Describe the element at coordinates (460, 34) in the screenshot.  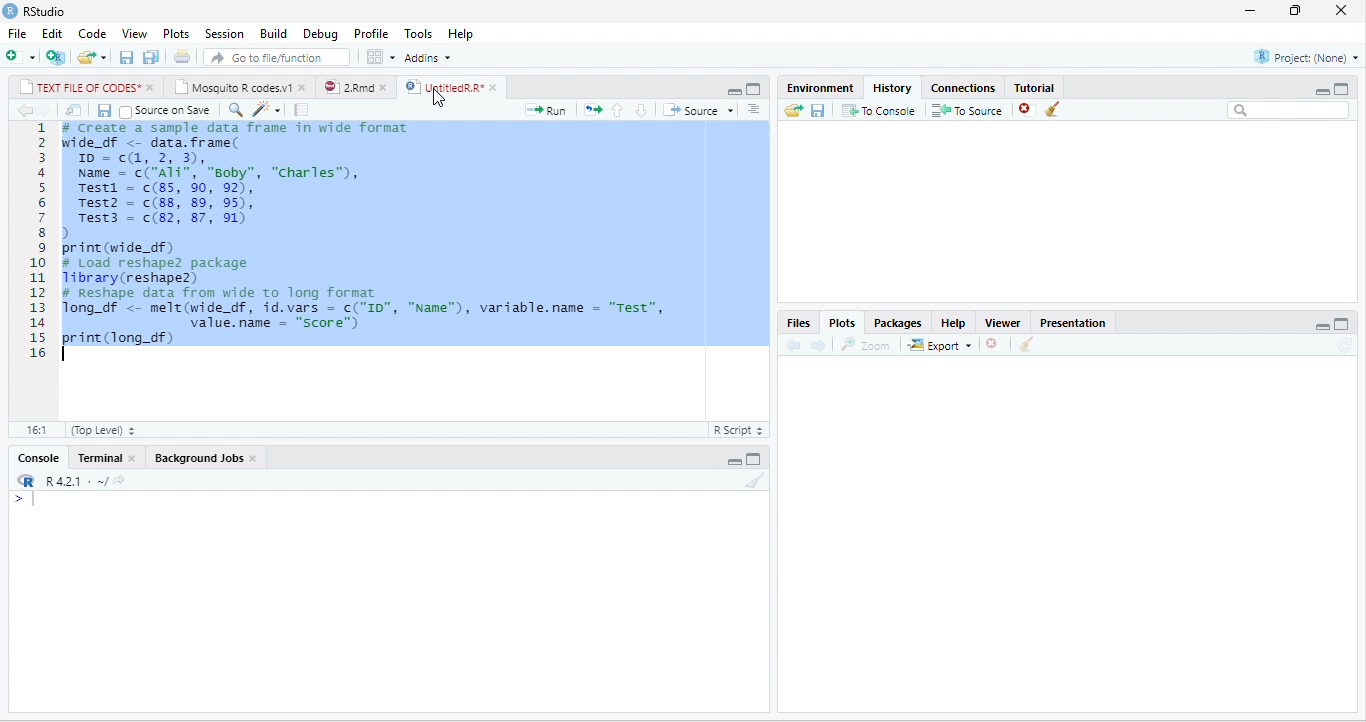
I see `Help` at that location.